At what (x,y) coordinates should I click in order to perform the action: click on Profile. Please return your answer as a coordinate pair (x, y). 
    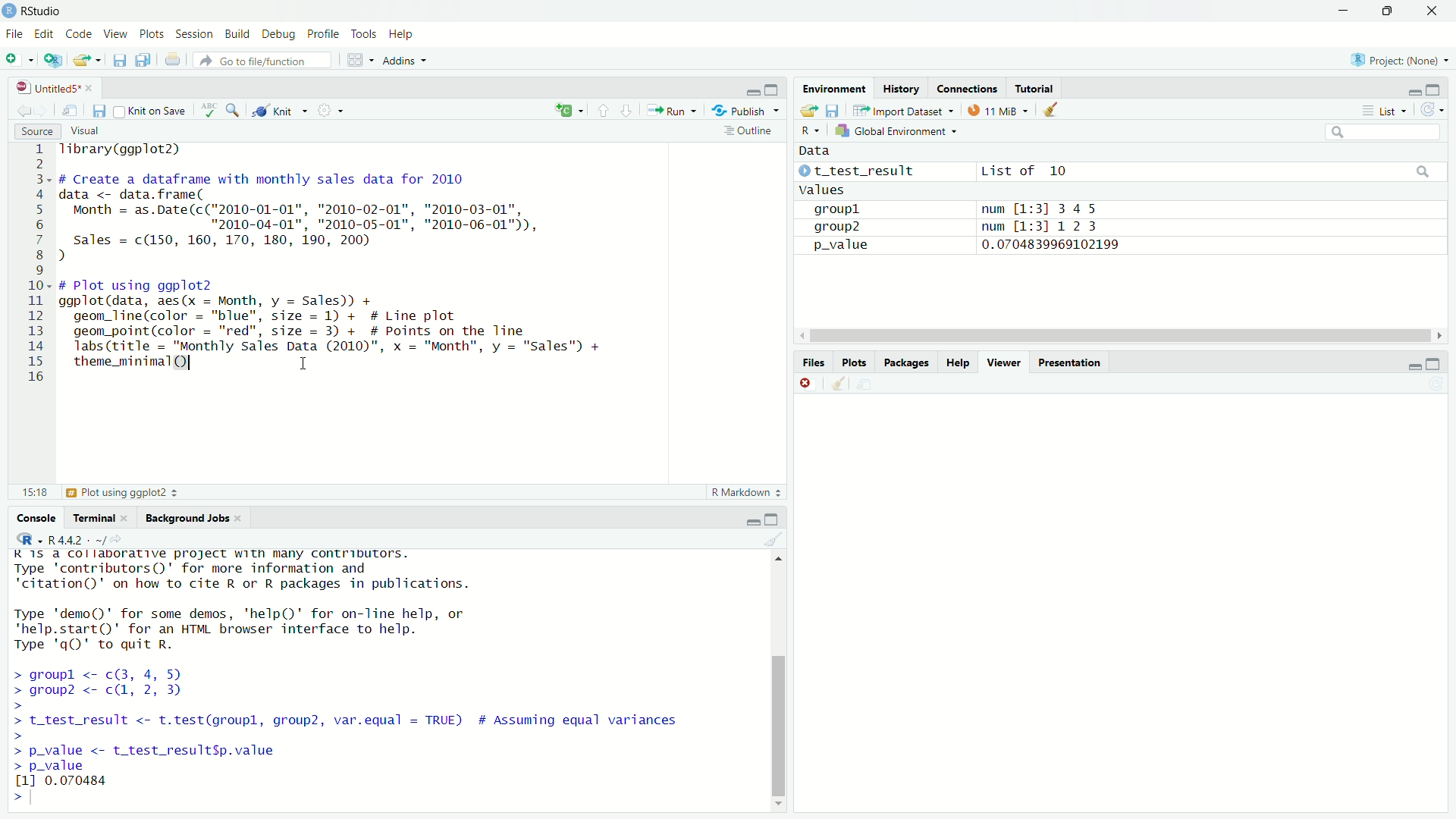
    Looking at the image, I should click on (322, 32).